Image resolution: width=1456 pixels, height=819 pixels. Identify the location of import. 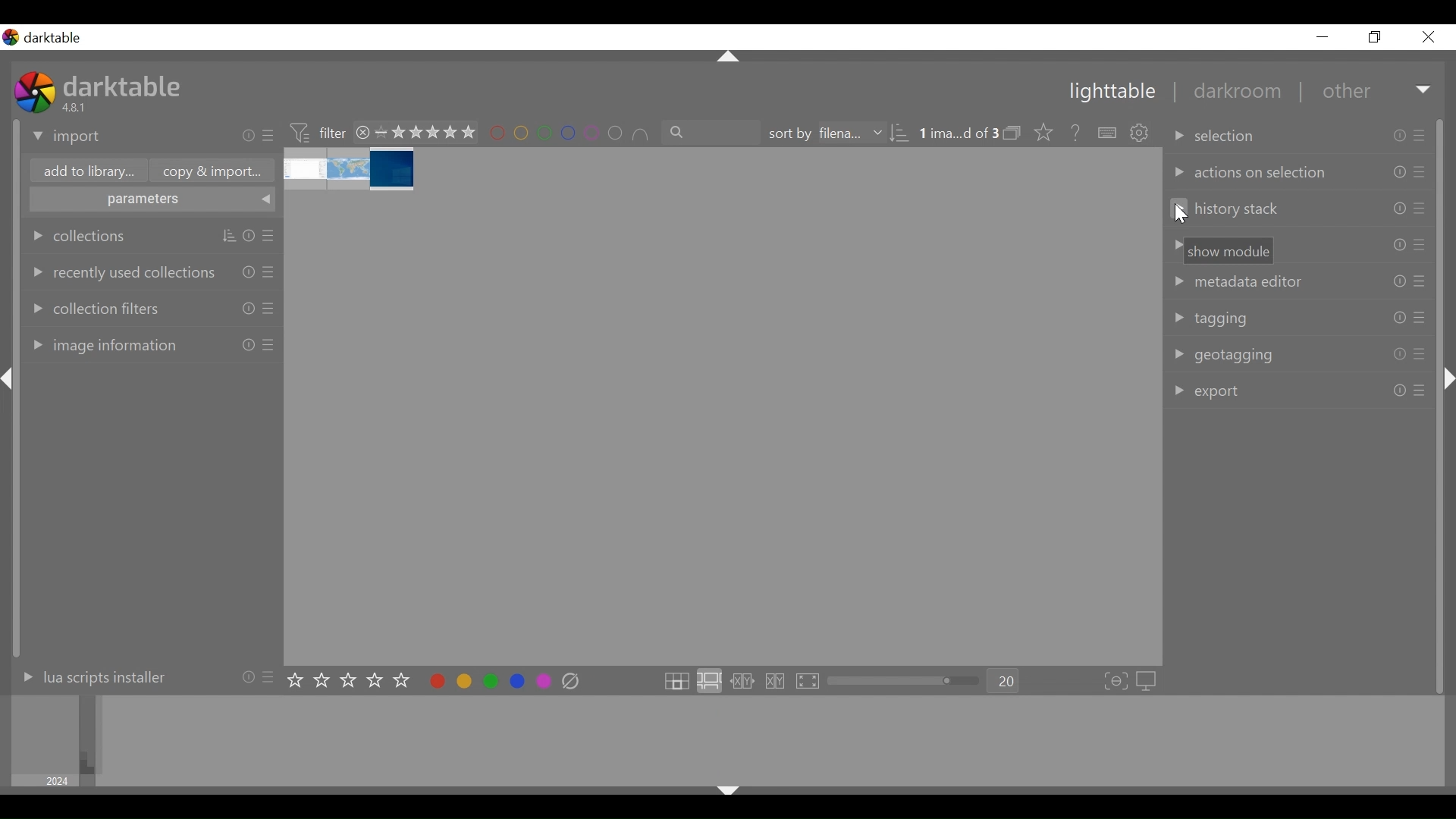
(67, 137).